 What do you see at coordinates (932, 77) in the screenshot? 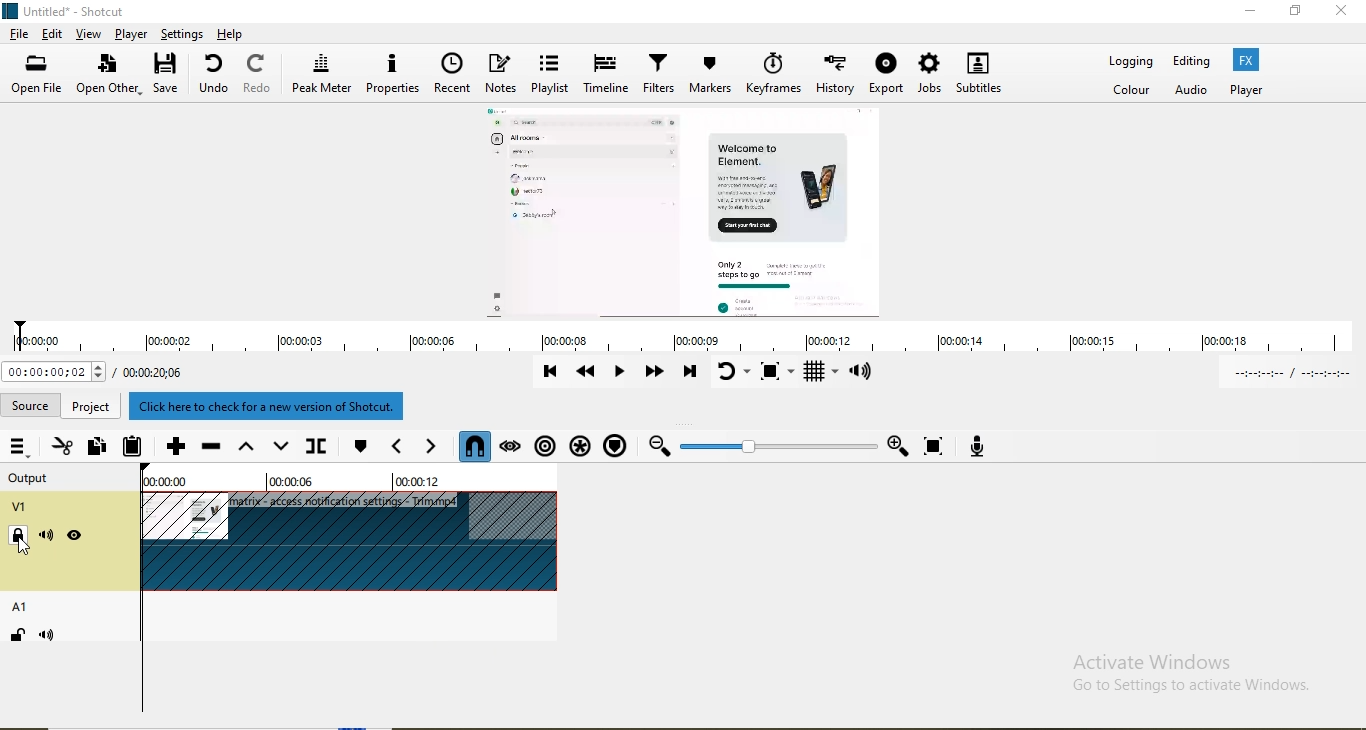
I see `Jobs` at bounding box center [932, 77].